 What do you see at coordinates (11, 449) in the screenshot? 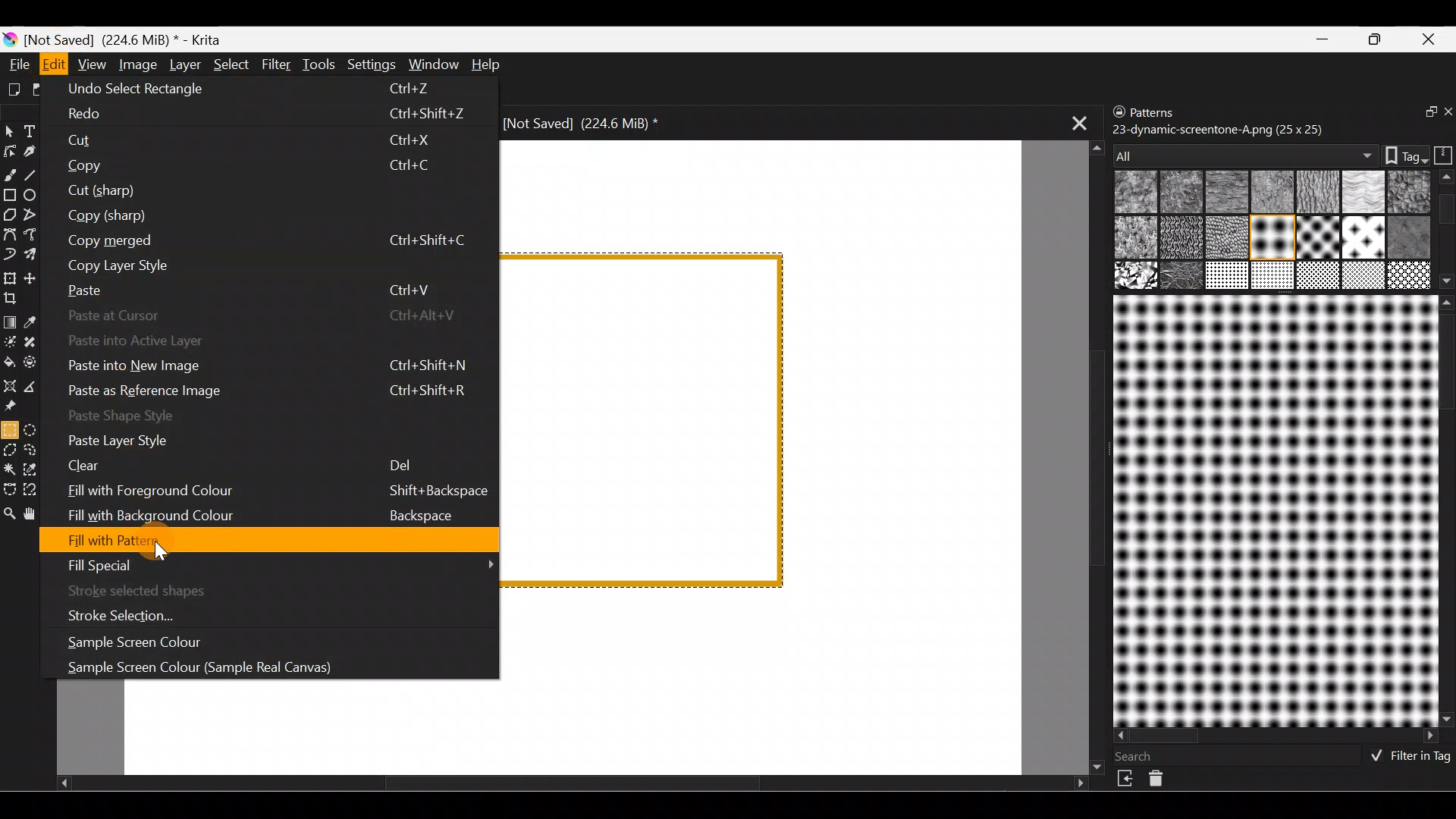
I see `Polygonal selection tool` at bounding box center [11, 449].